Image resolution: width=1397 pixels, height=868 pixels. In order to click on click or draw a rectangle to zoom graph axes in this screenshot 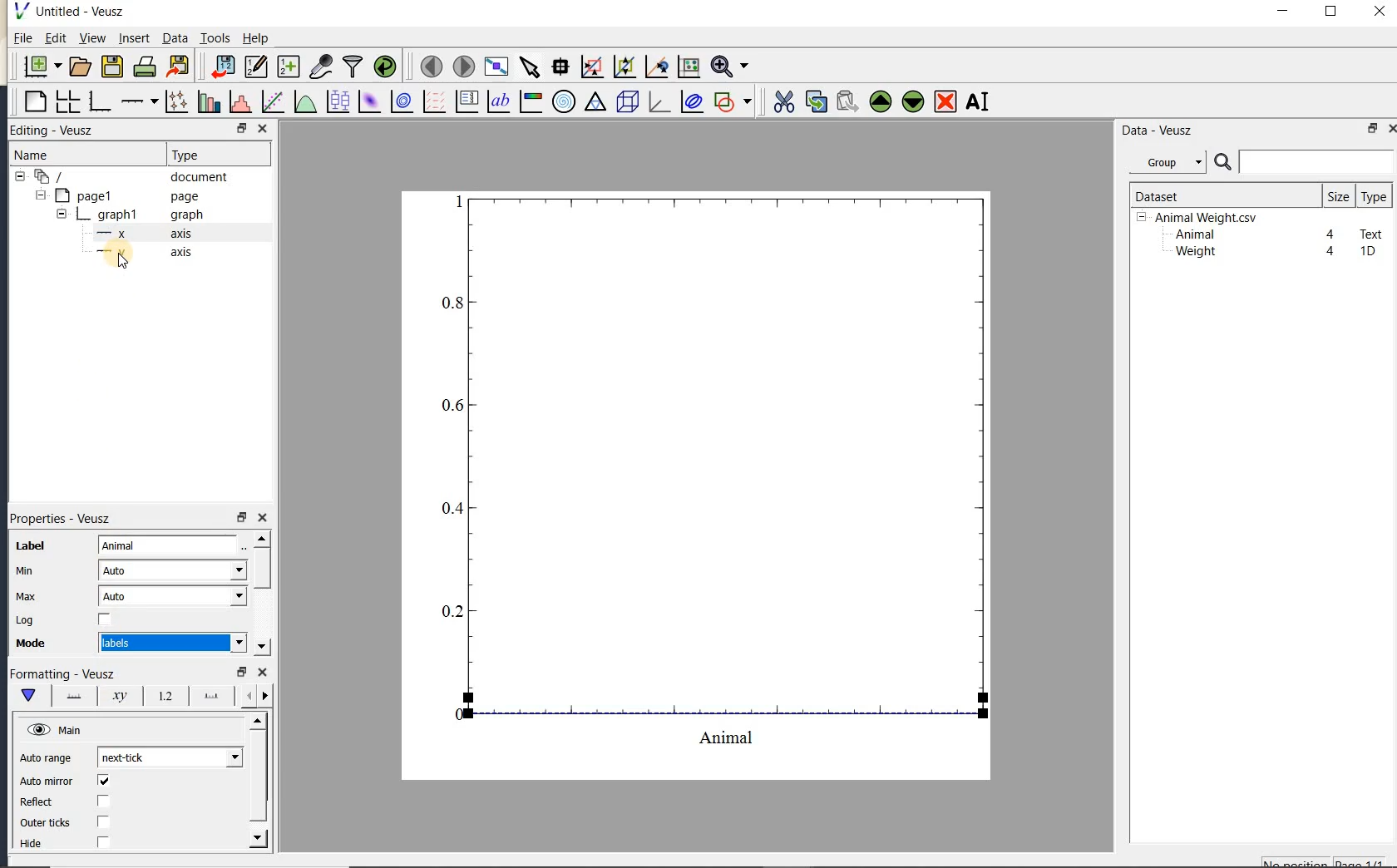, I will do `click(591, 67)`.